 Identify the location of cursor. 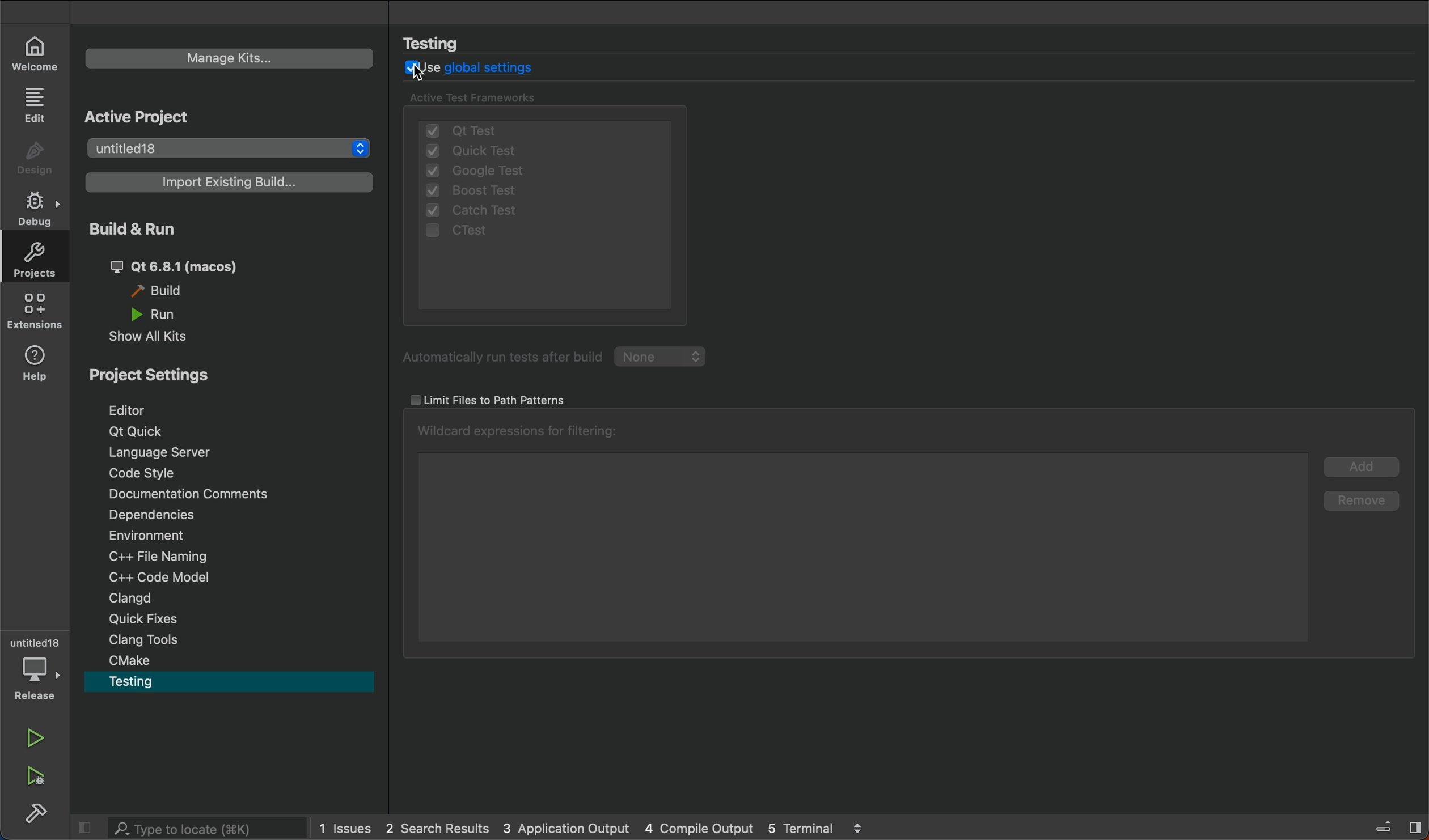
(423, 74).